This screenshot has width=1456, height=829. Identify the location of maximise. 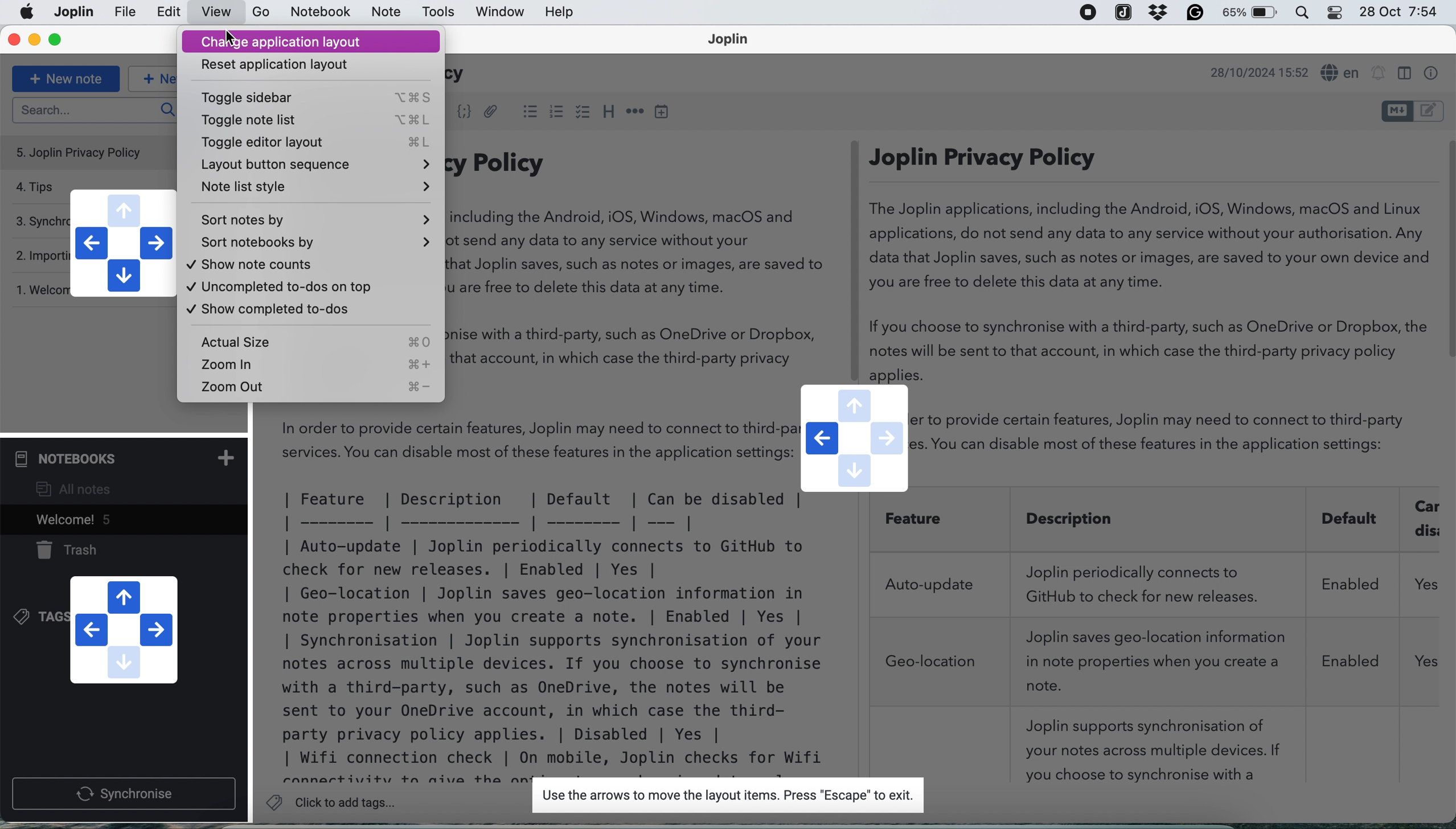
(55, 40).